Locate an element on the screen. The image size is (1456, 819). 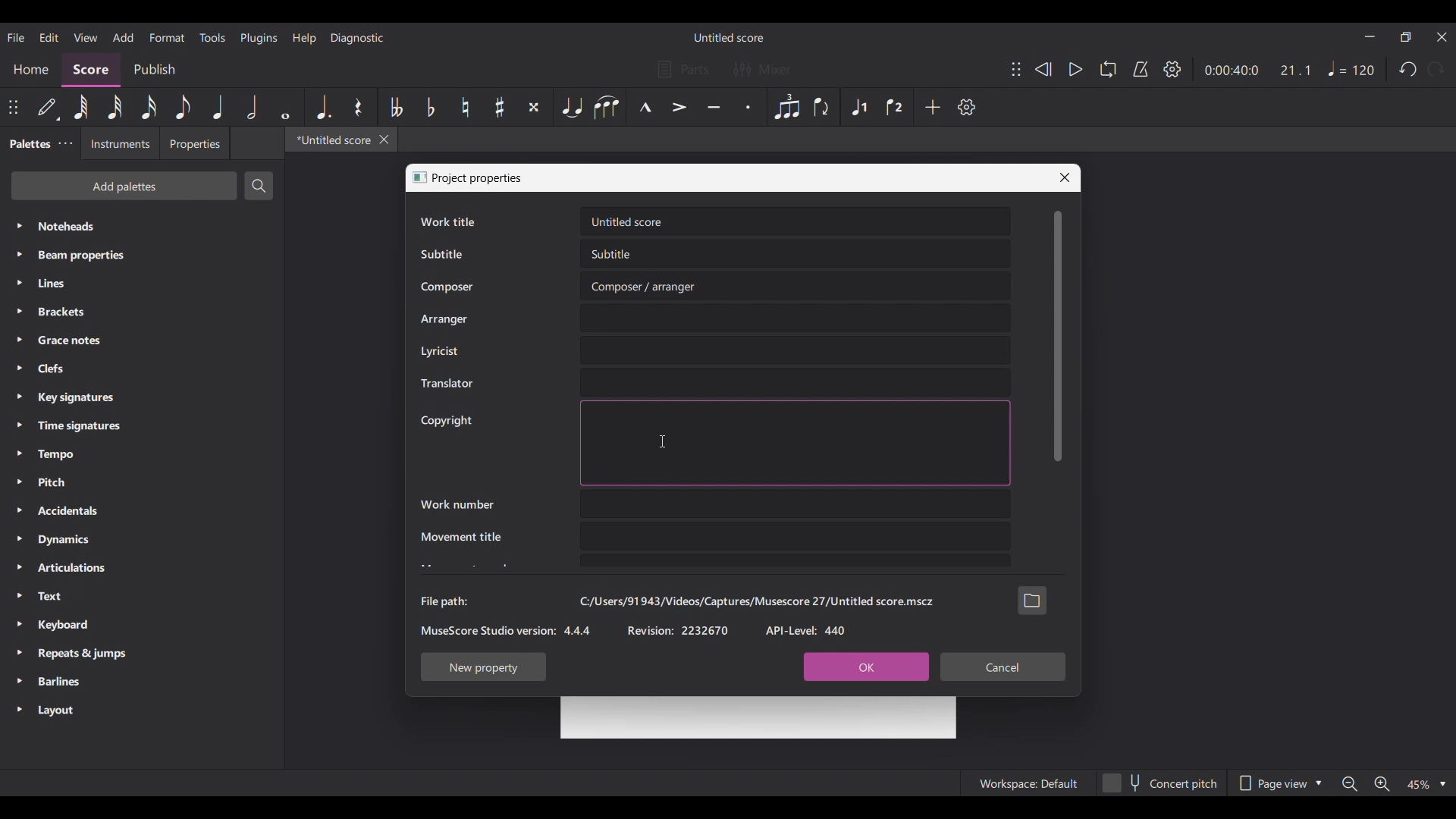
Settings is located at coordinates (1172, 69).